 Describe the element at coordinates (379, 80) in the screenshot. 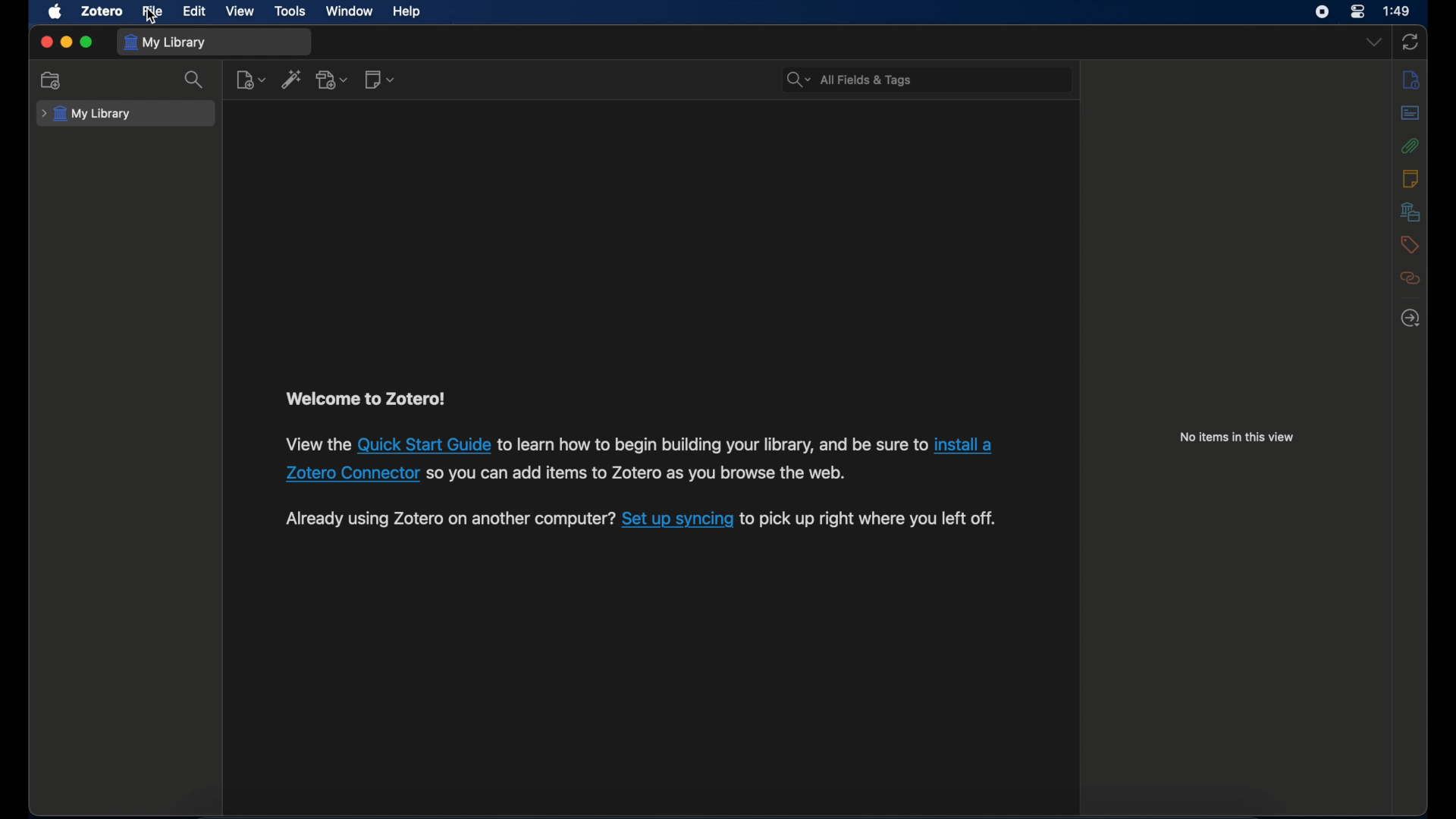

I see `new note` at that location.